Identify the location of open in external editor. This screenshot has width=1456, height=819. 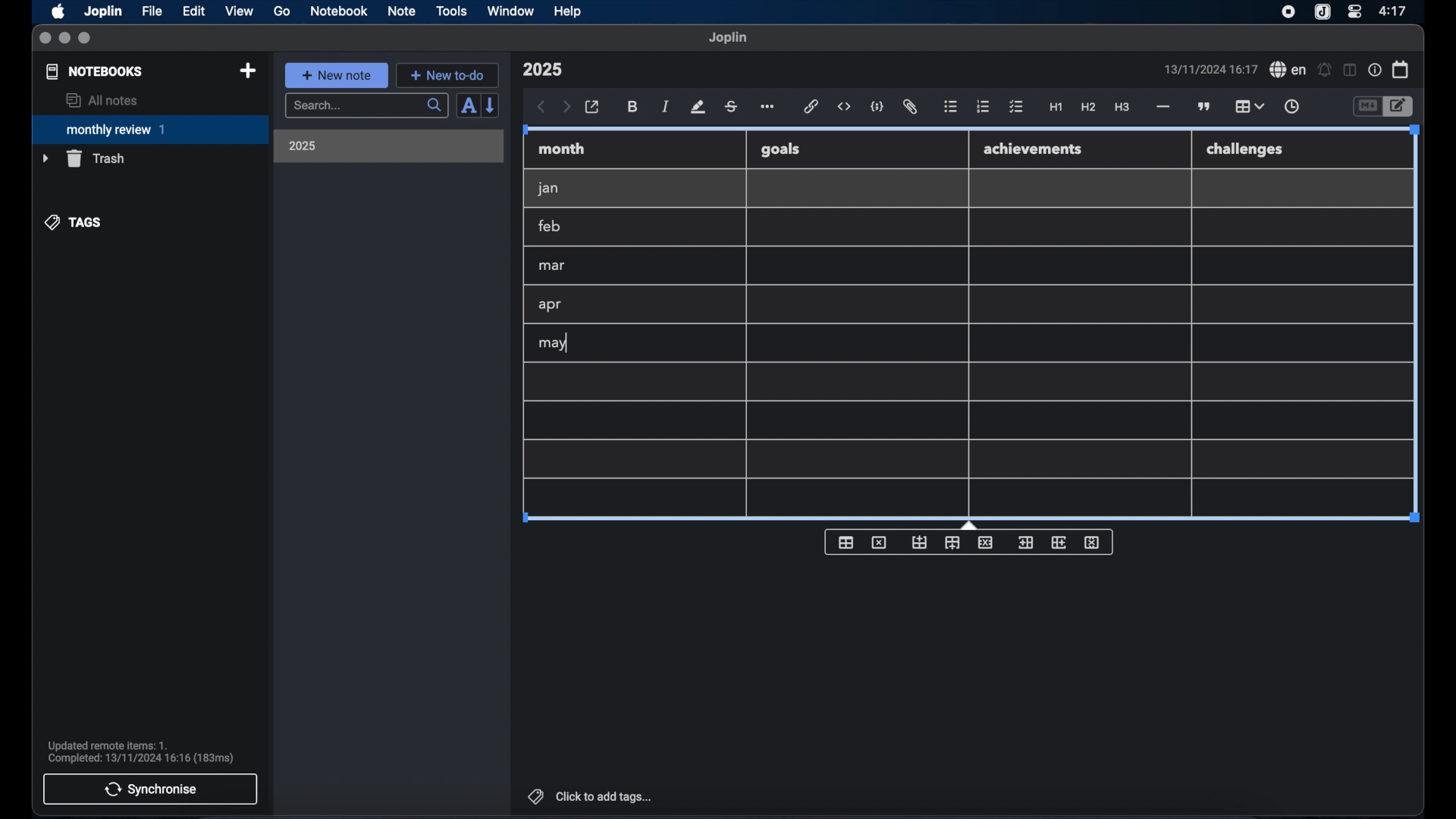
(593, 108).